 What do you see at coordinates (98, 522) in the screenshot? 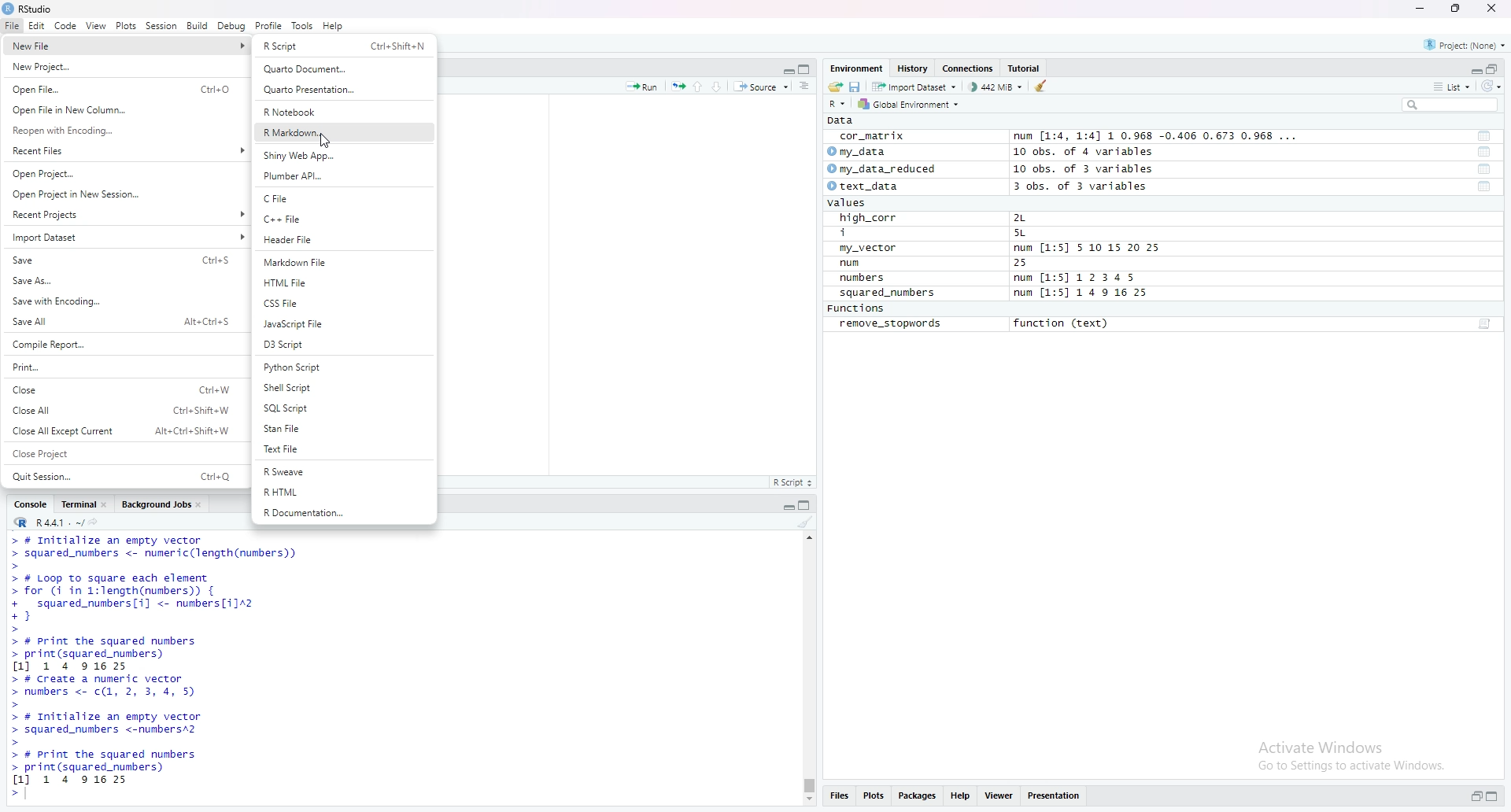
I see `view the current working` at bounding box center [98, 522].